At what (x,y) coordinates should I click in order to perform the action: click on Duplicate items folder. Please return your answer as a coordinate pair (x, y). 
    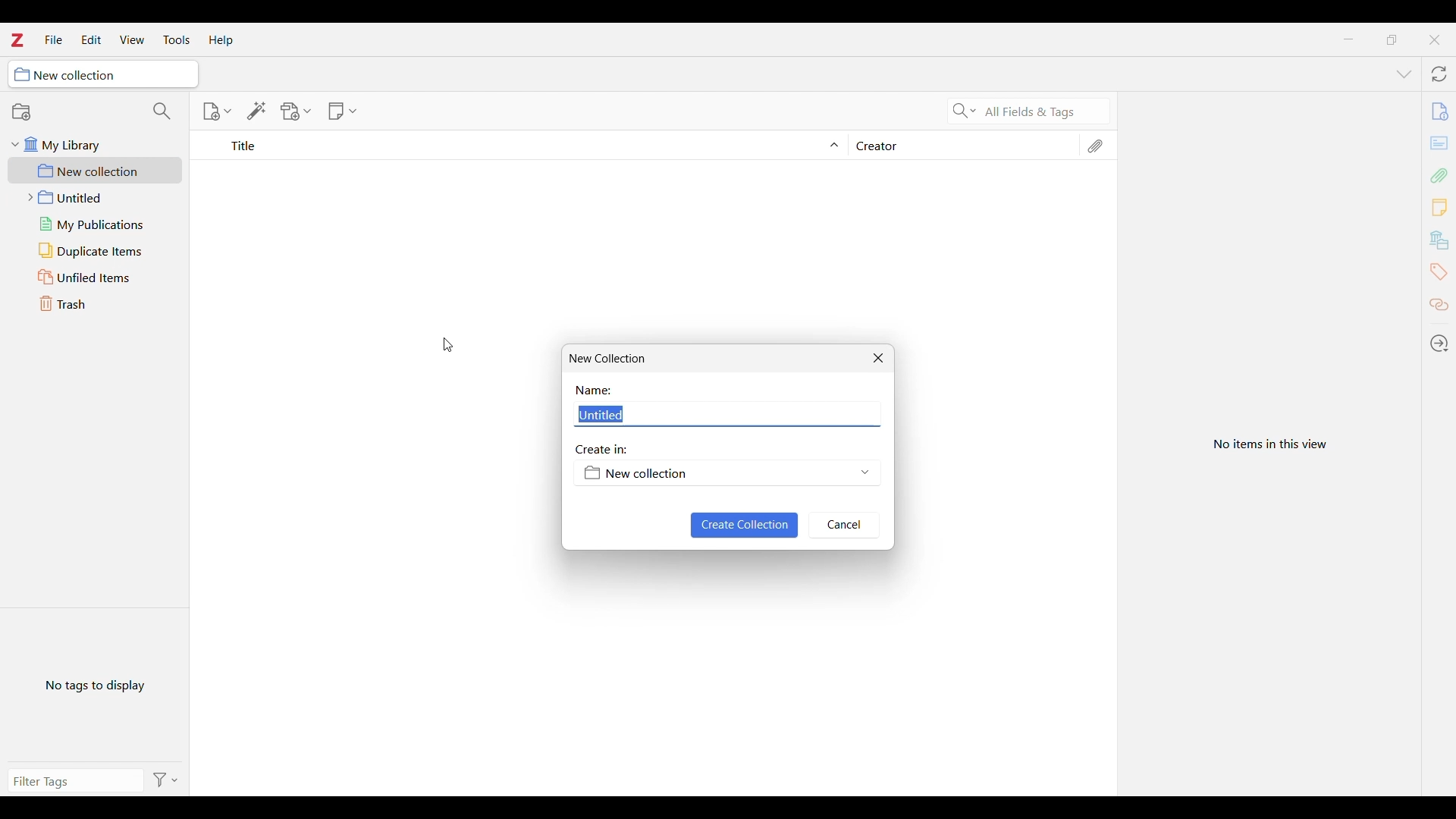
    Looking at the image, I should click on (95, 251).